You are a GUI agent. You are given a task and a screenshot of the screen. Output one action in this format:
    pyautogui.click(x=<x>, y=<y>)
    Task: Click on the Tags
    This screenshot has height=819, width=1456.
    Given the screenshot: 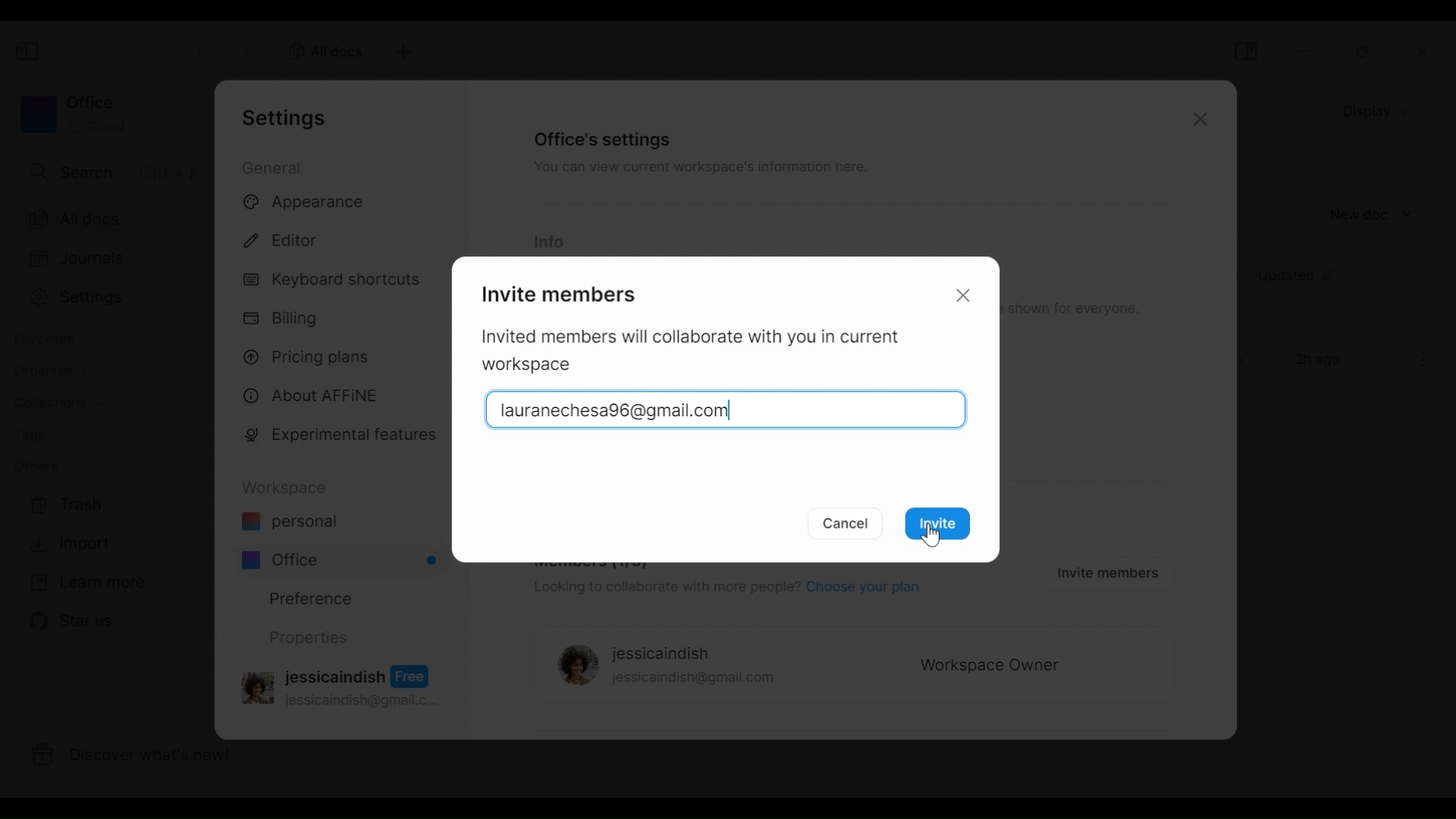 What is the action you would take?
    pyautogui.click(x=36, y=436)
    